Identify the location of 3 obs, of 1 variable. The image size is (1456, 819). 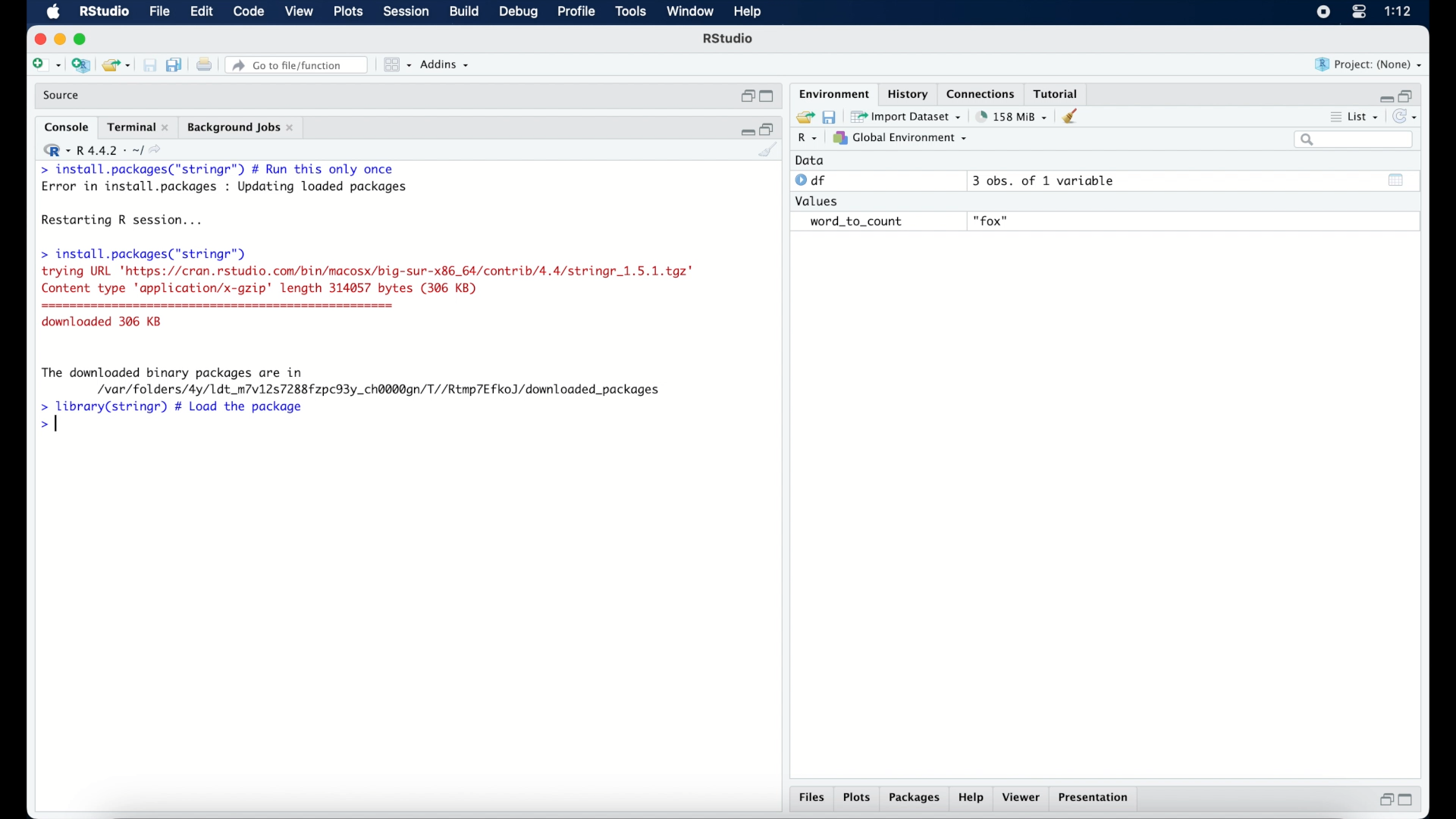
(1050, 180).